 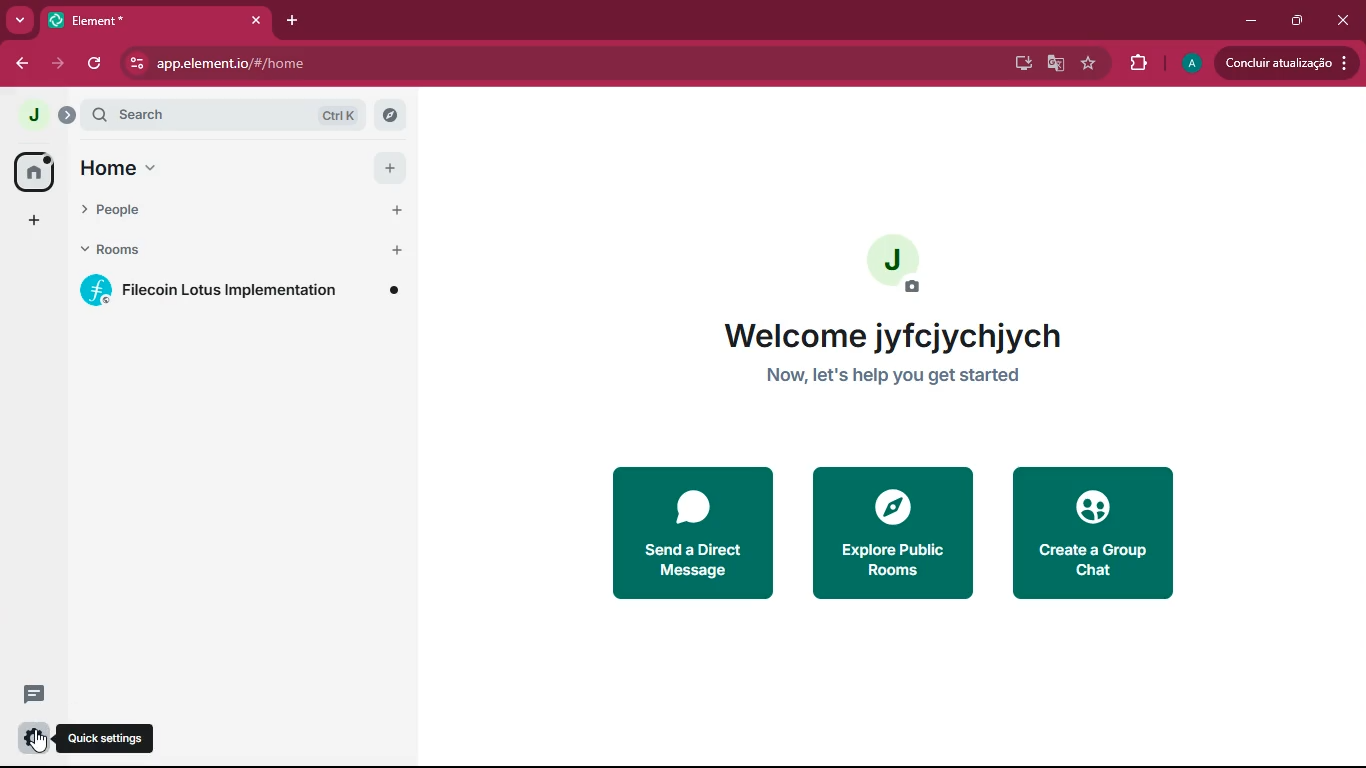 I want to click on search tabs, so click(x=21, y=22).